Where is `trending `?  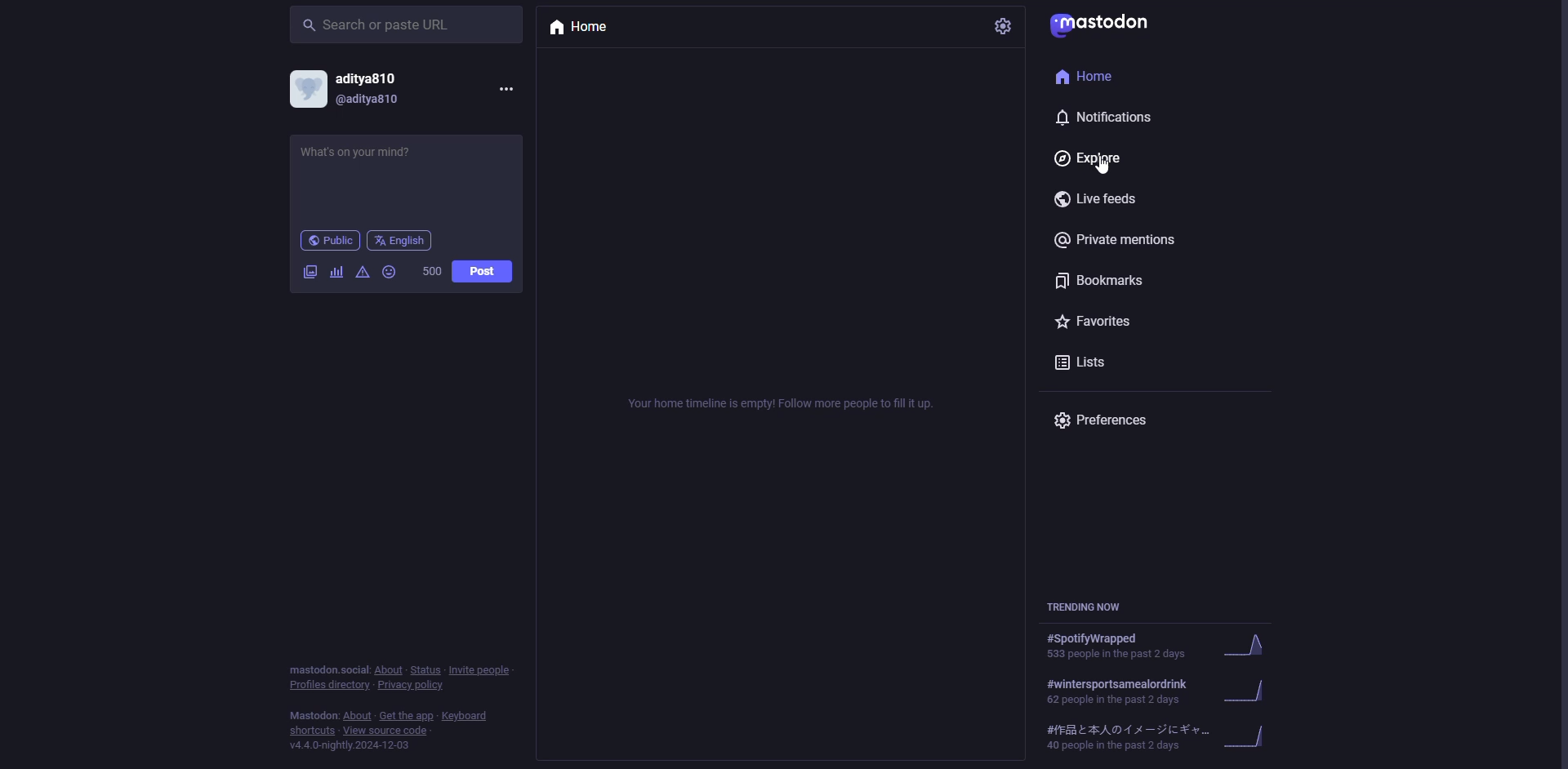
trending  is located at coordinates (1156, 647).